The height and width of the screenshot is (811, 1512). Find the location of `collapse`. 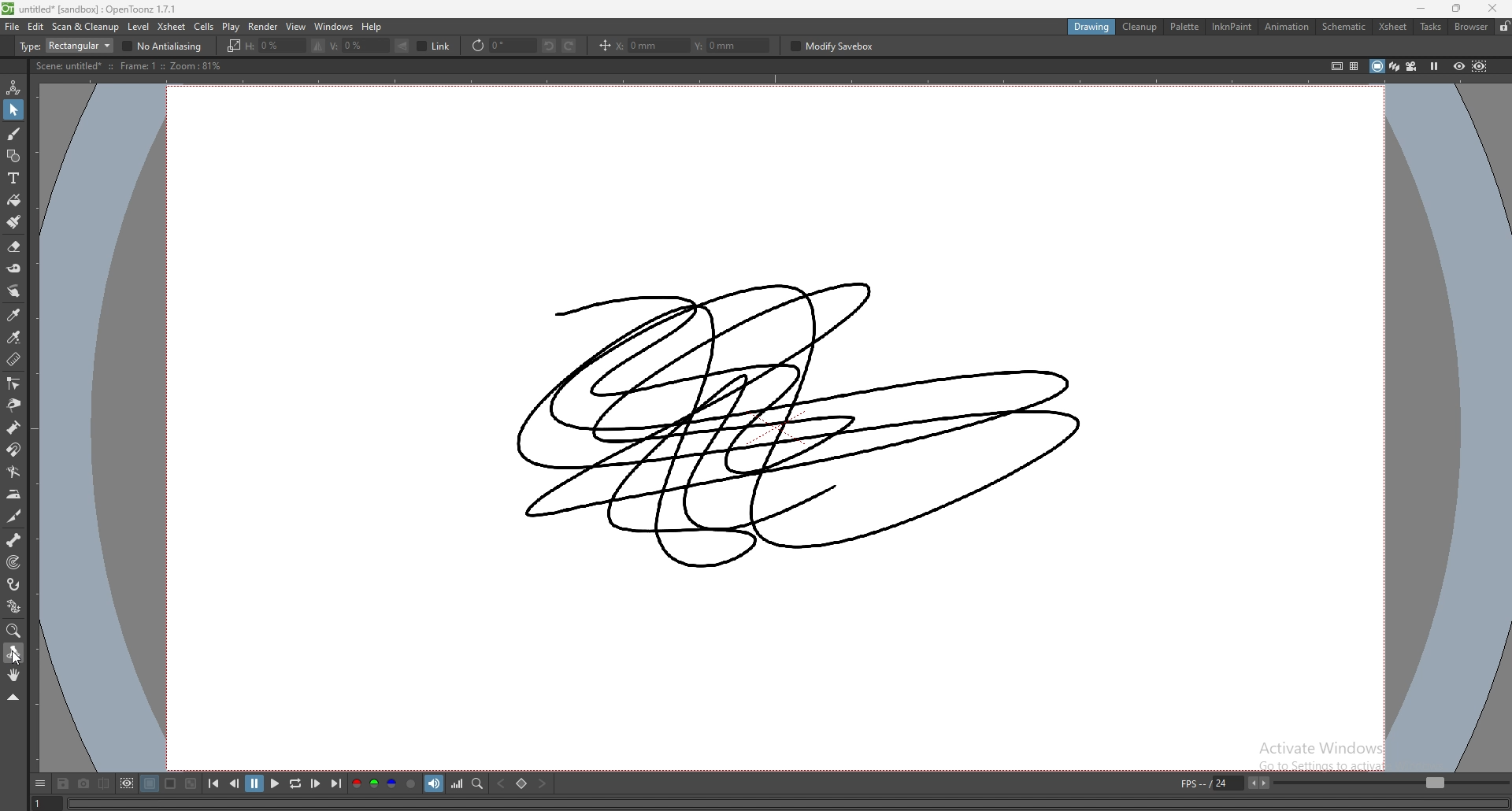

collapse is located at coordinates (13, 698).